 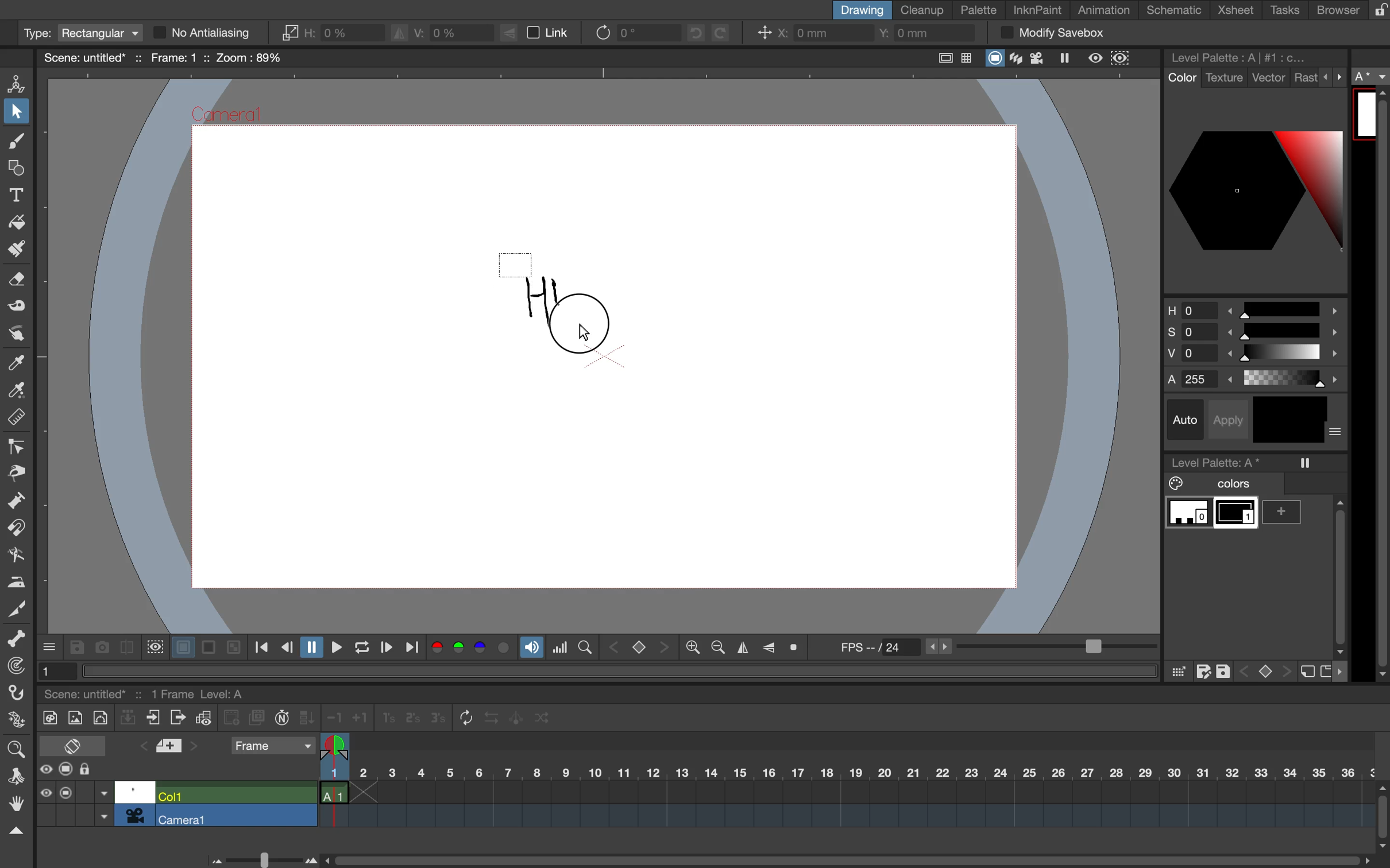 What do you see at coordinates (979, 10) in the screenshot?
I see `palette` at bounding box center [979, 10].